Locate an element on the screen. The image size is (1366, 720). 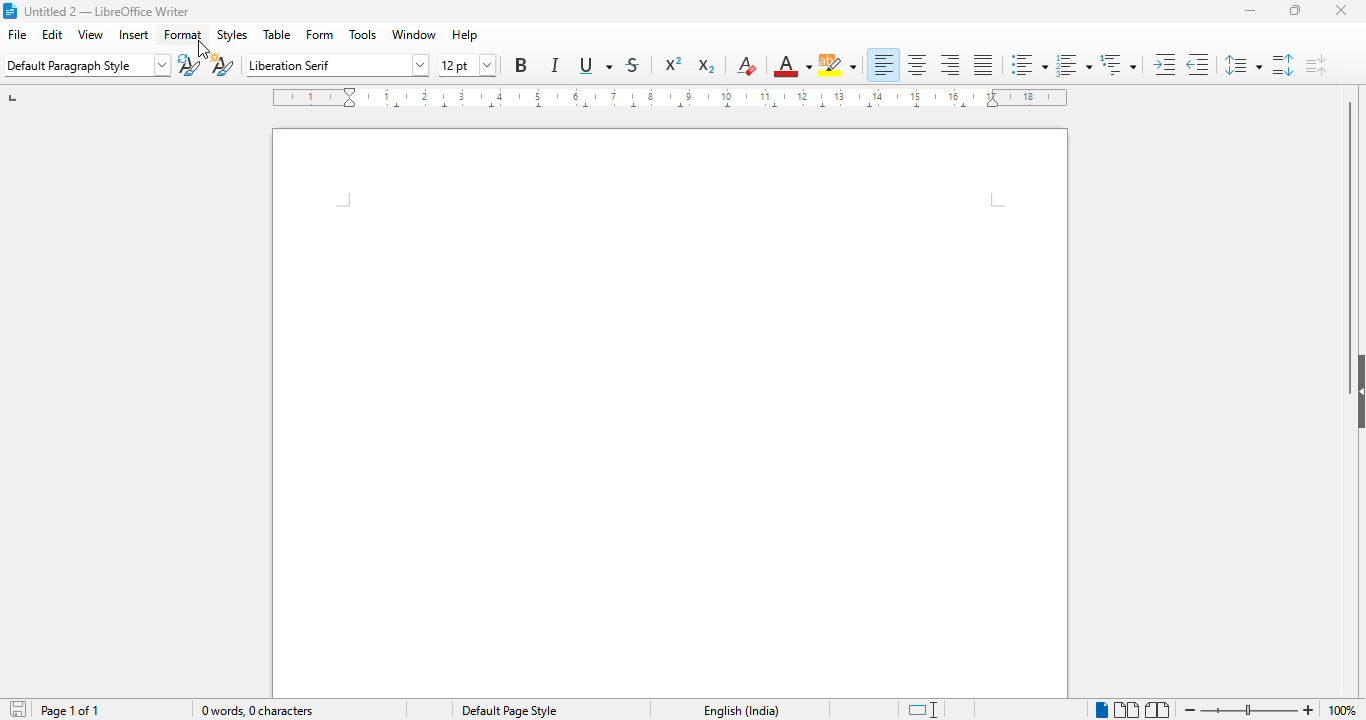
vertical scroll bar is located at coordinates (1349, 222).